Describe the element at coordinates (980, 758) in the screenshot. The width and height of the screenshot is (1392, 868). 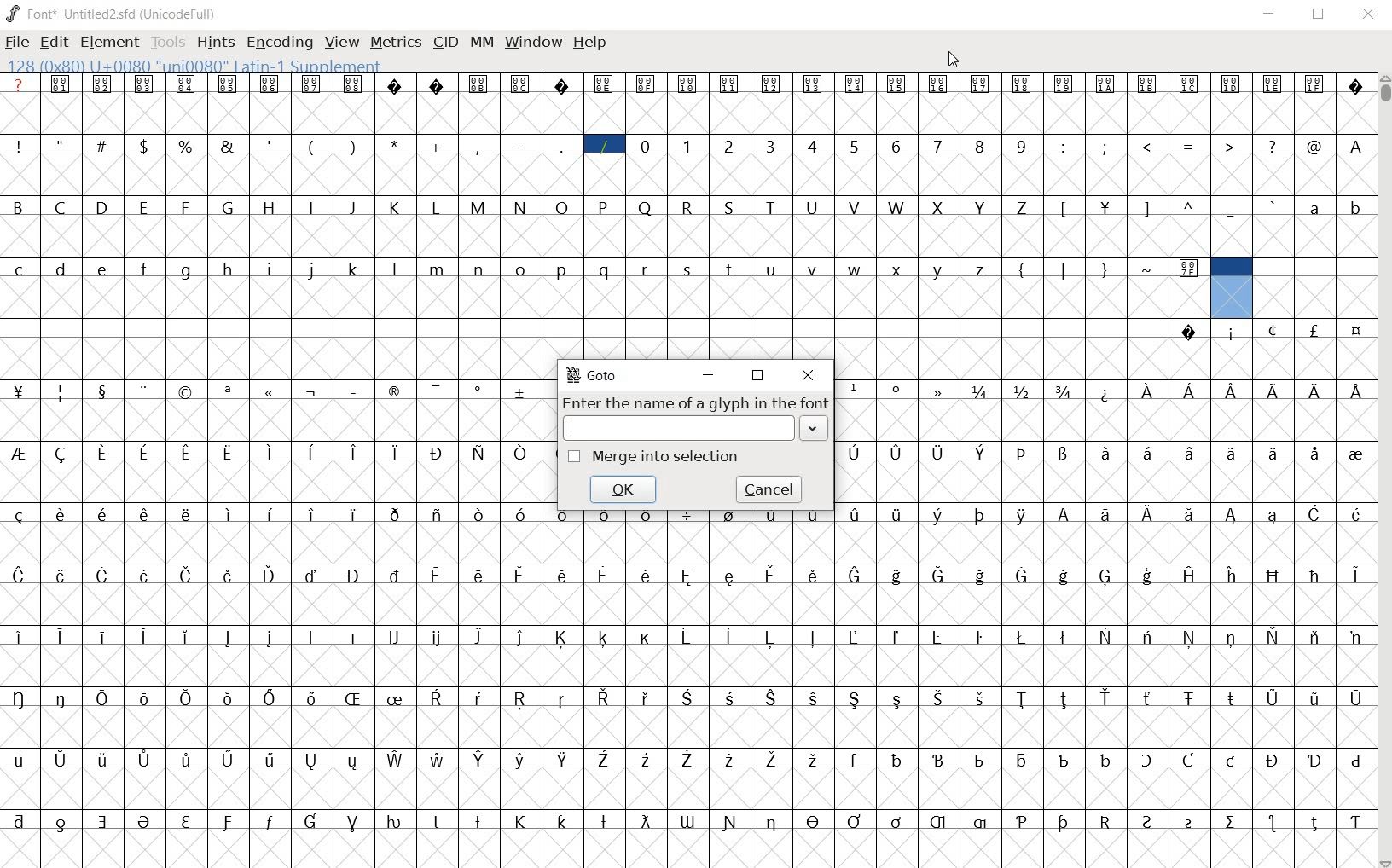
I see `Symbol` at that location.